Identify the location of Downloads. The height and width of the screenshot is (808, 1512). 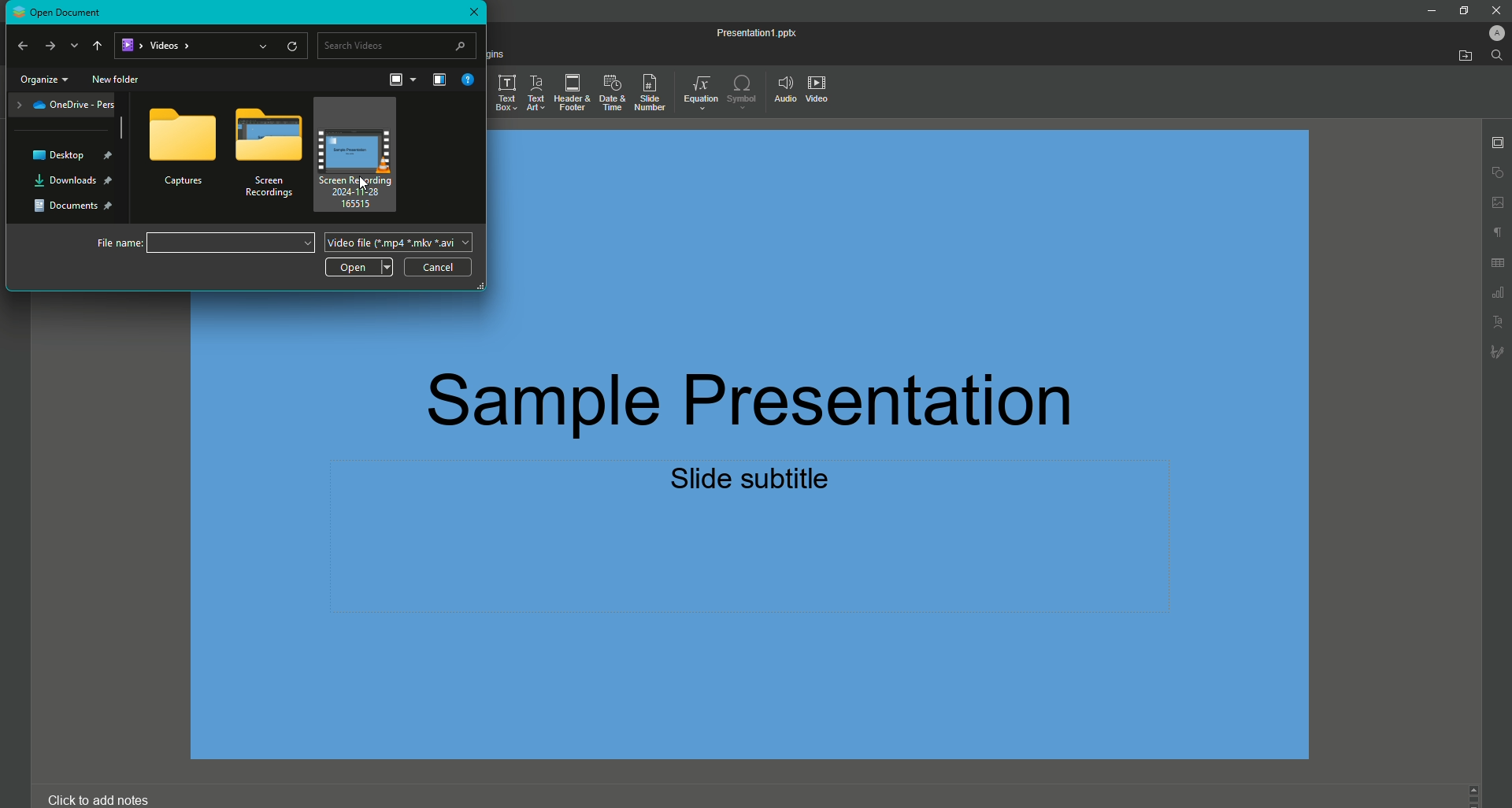
(72, 181).